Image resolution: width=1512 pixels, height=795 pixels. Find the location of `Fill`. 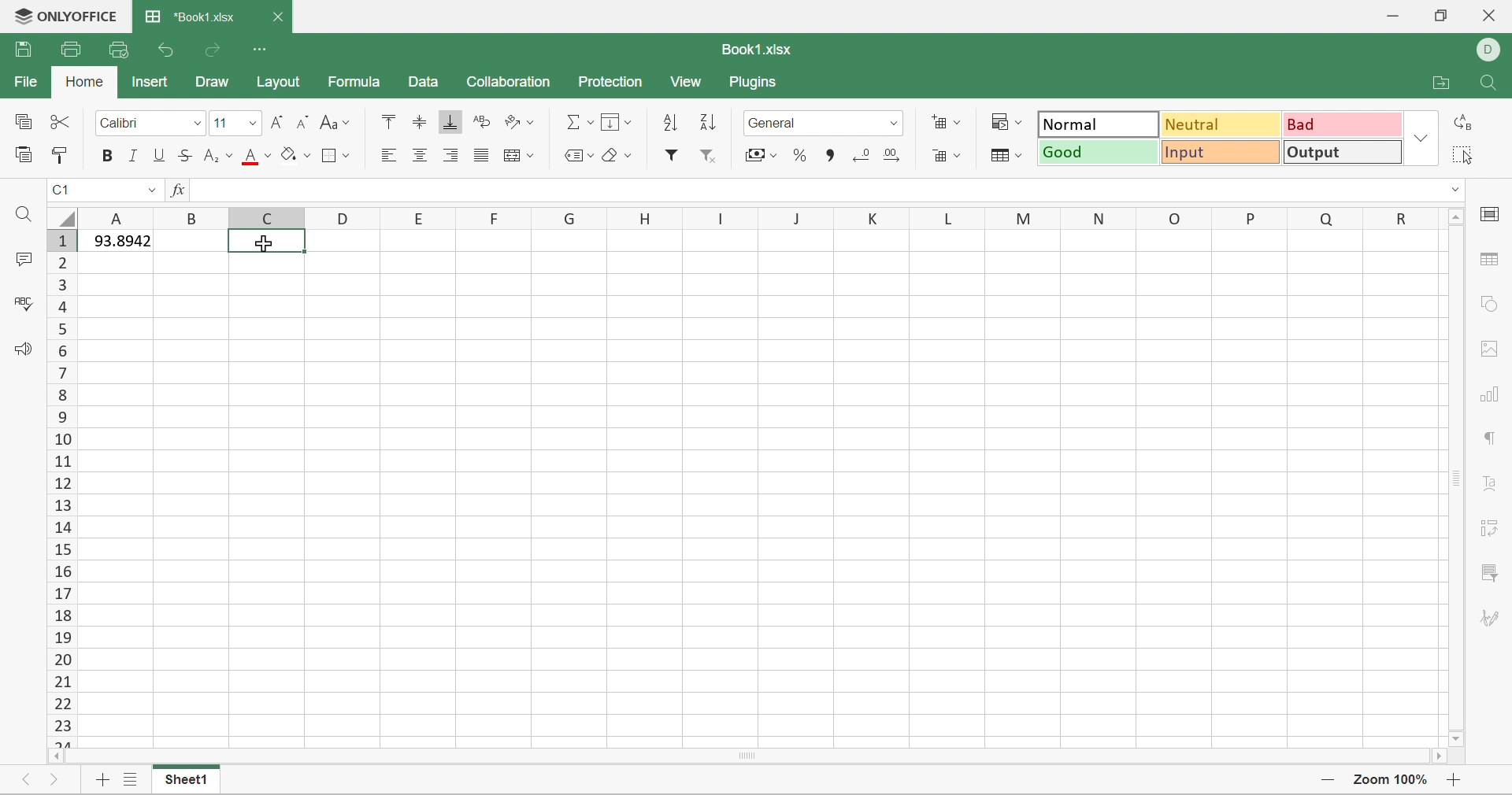

Fill is located at coordinates (615, 120).